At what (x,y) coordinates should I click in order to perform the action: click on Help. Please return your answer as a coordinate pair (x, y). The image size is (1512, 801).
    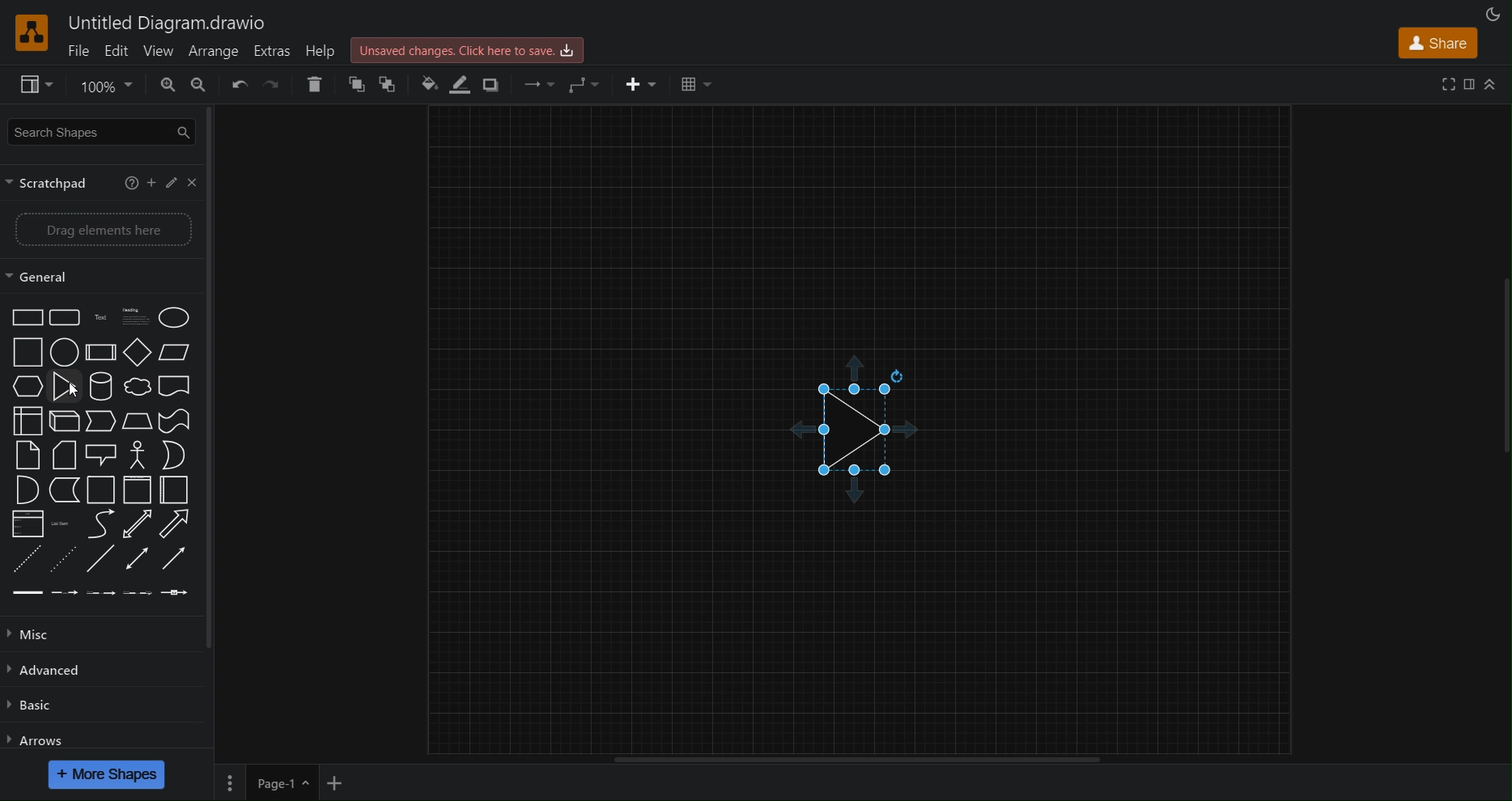
    Looking at the image, I should click on (325, 50).